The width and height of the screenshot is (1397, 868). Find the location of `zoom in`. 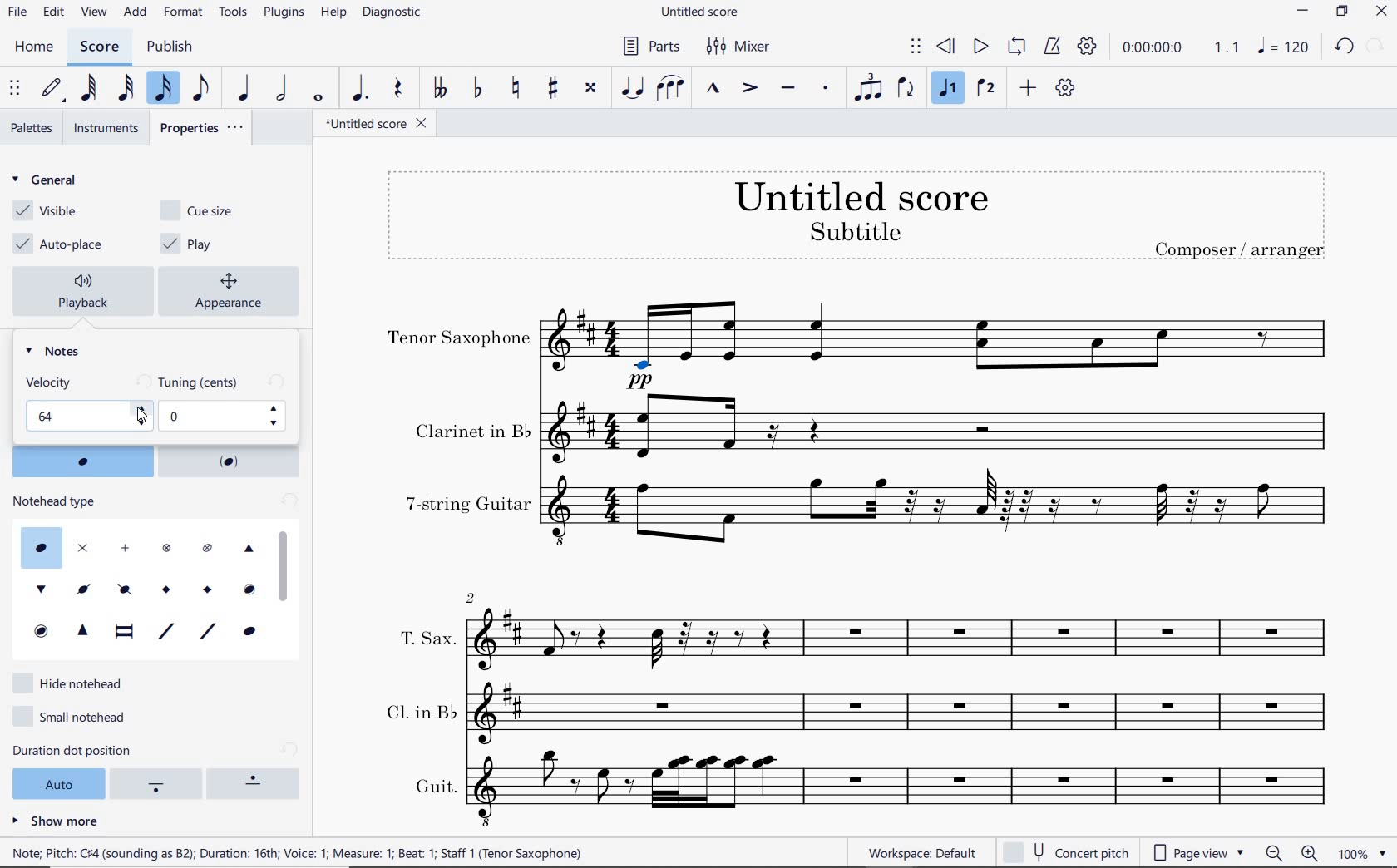

zoom in is located at coordinates (1313, 852).